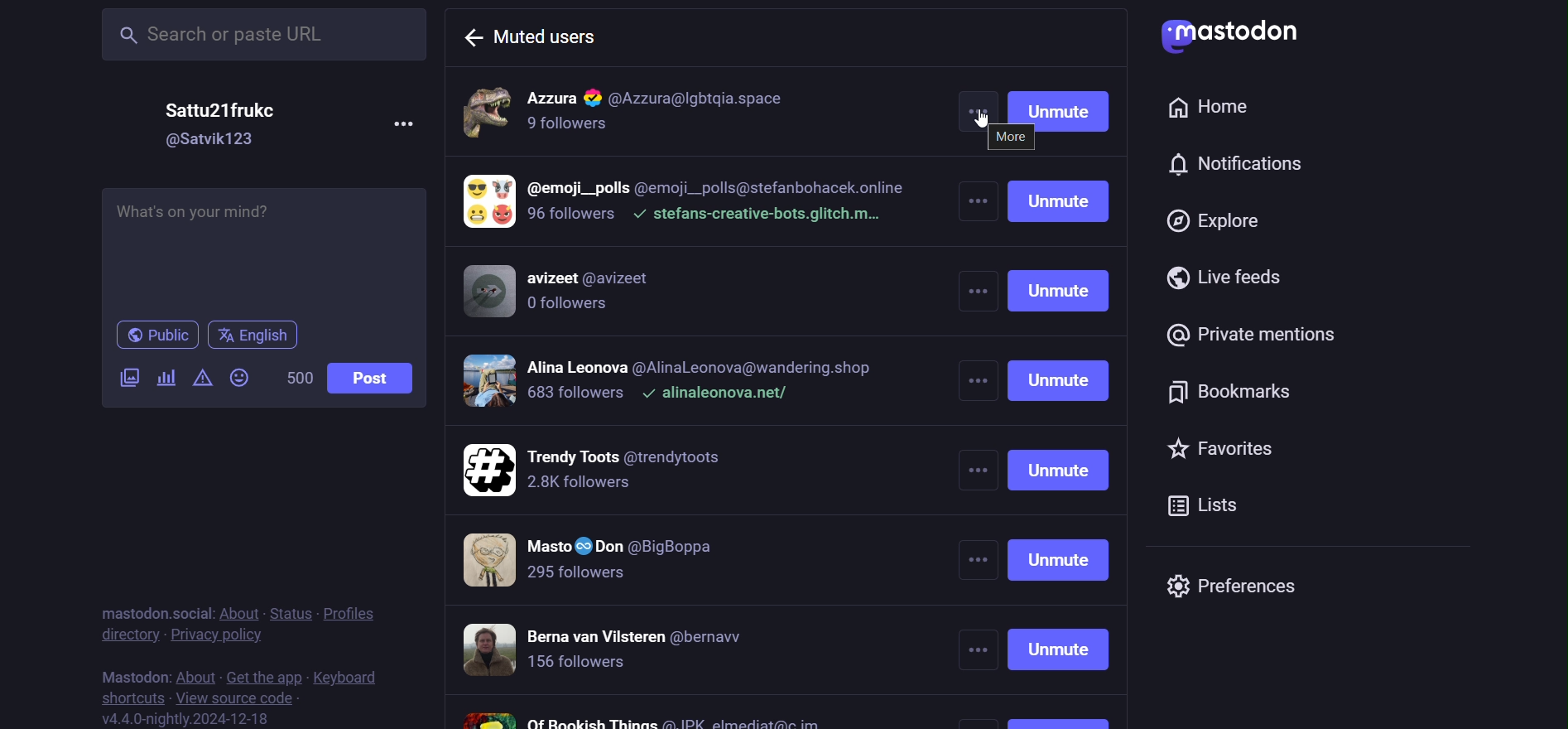 The width and height of the screenshot is (1568, 729). Describe the element at coordinates (257, 336) in the screenshot. I see `englisg` at that location.